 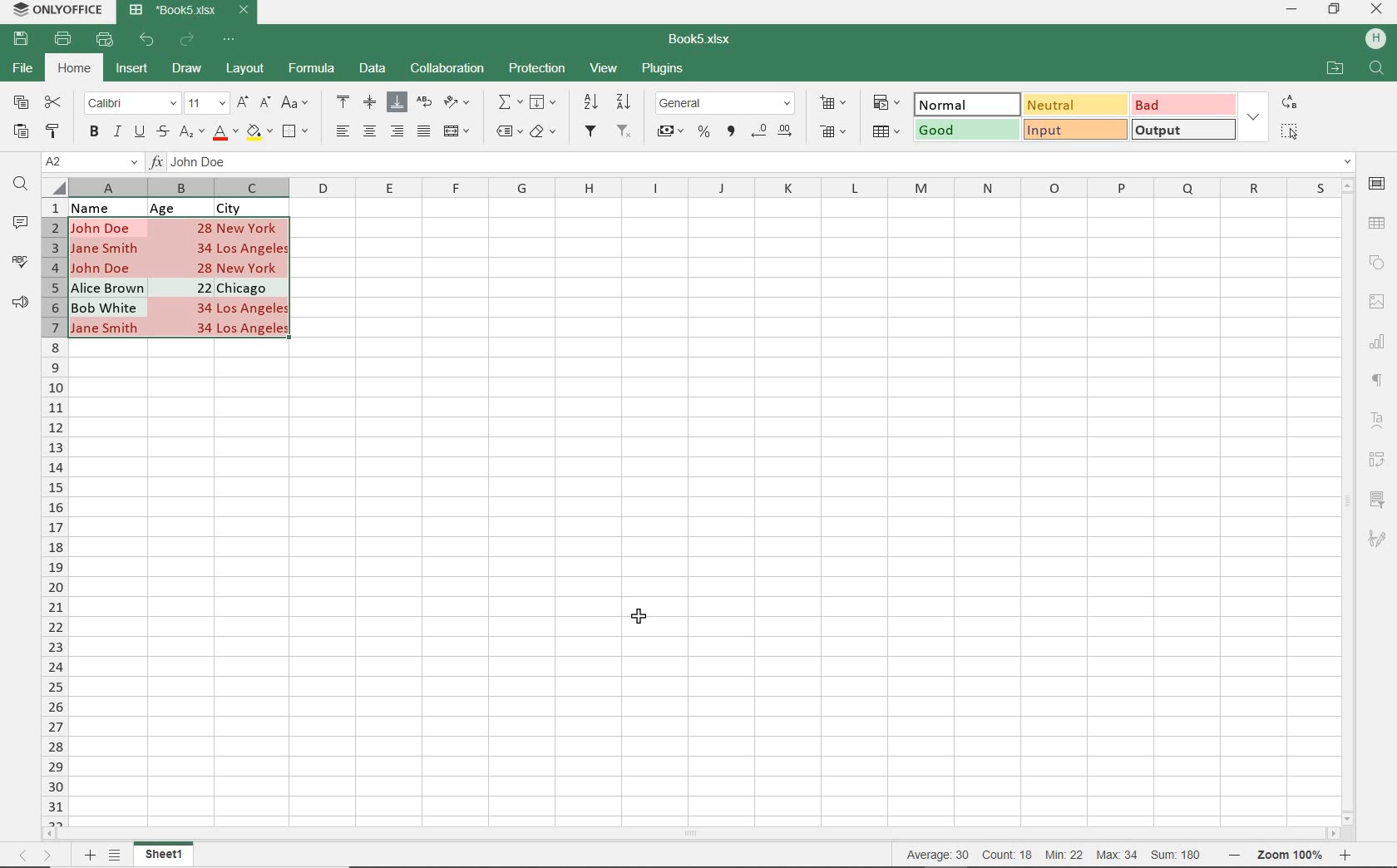 What do you see at coordinates (165, 855) in the screenshot?
I see `sheet 1` at bounding box center [165, 855].